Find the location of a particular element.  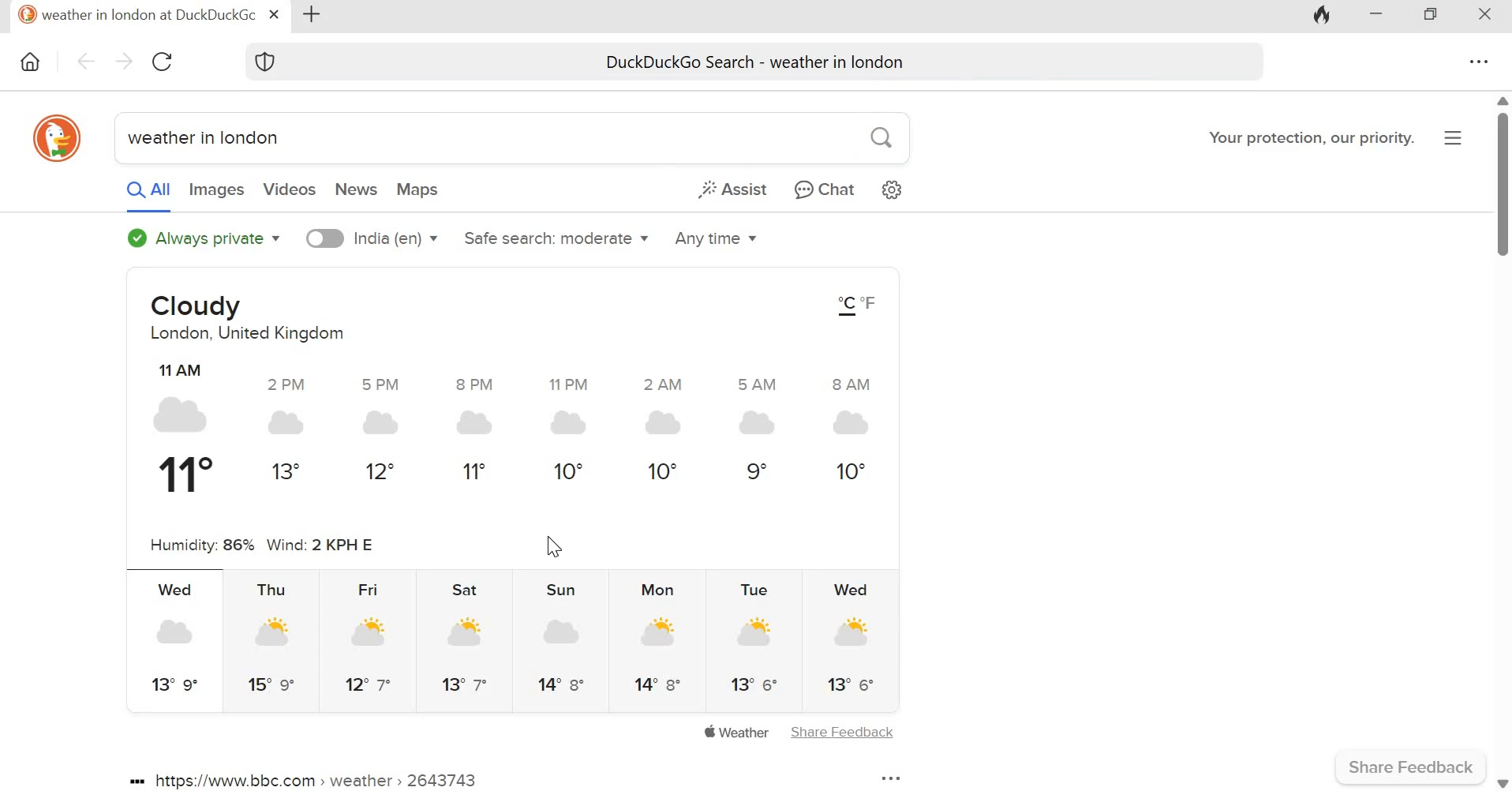

13° 7 is located at coordinates (464, 686).